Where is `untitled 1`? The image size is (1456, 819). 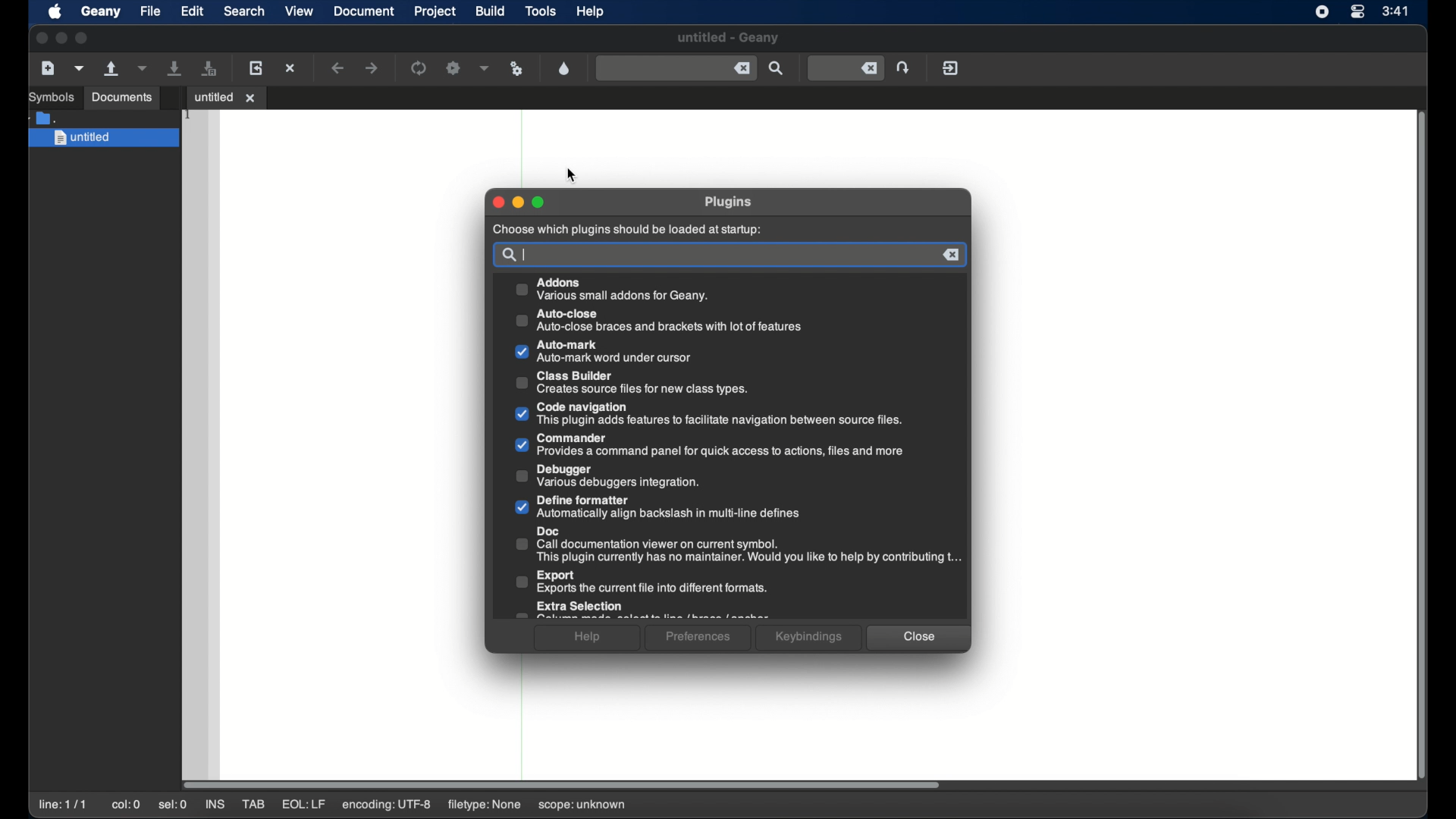 untitled 1 is located at coordinates (226, 96).